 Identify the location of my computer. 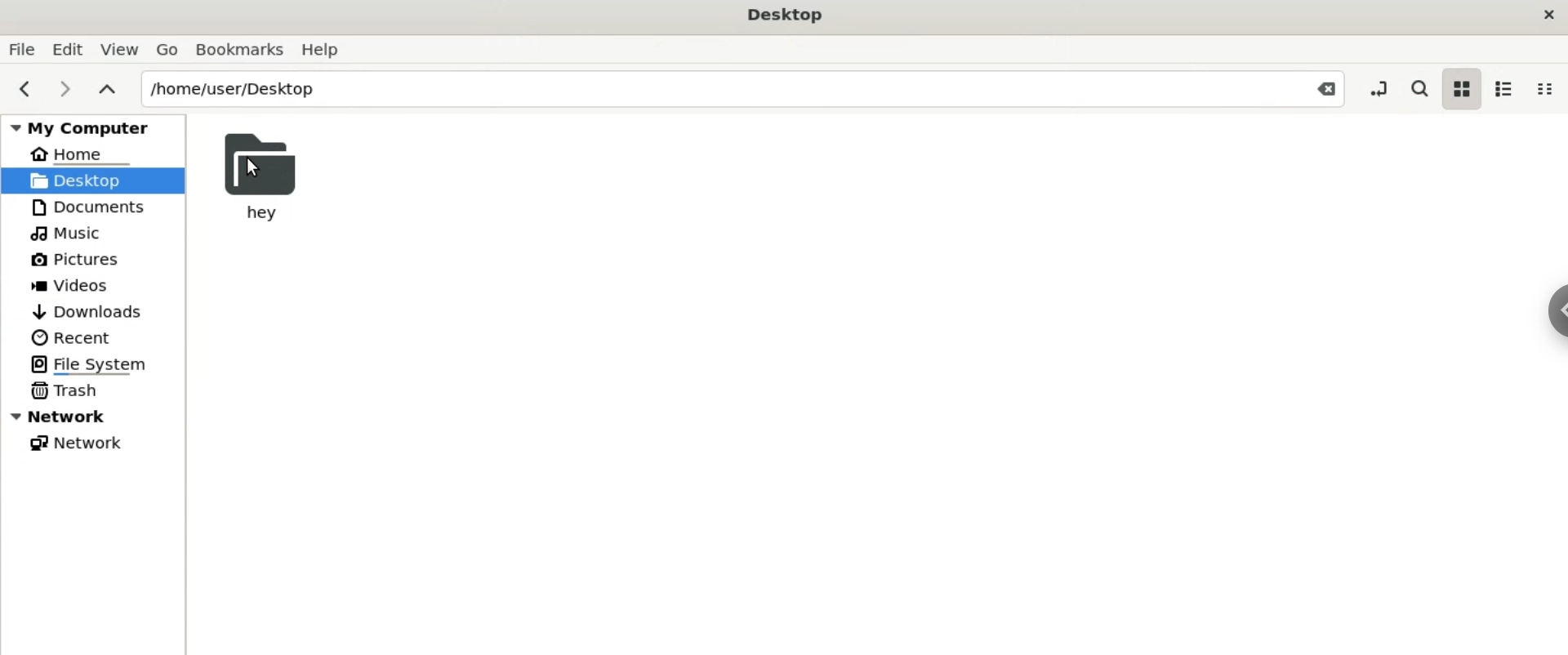
(96, 124).